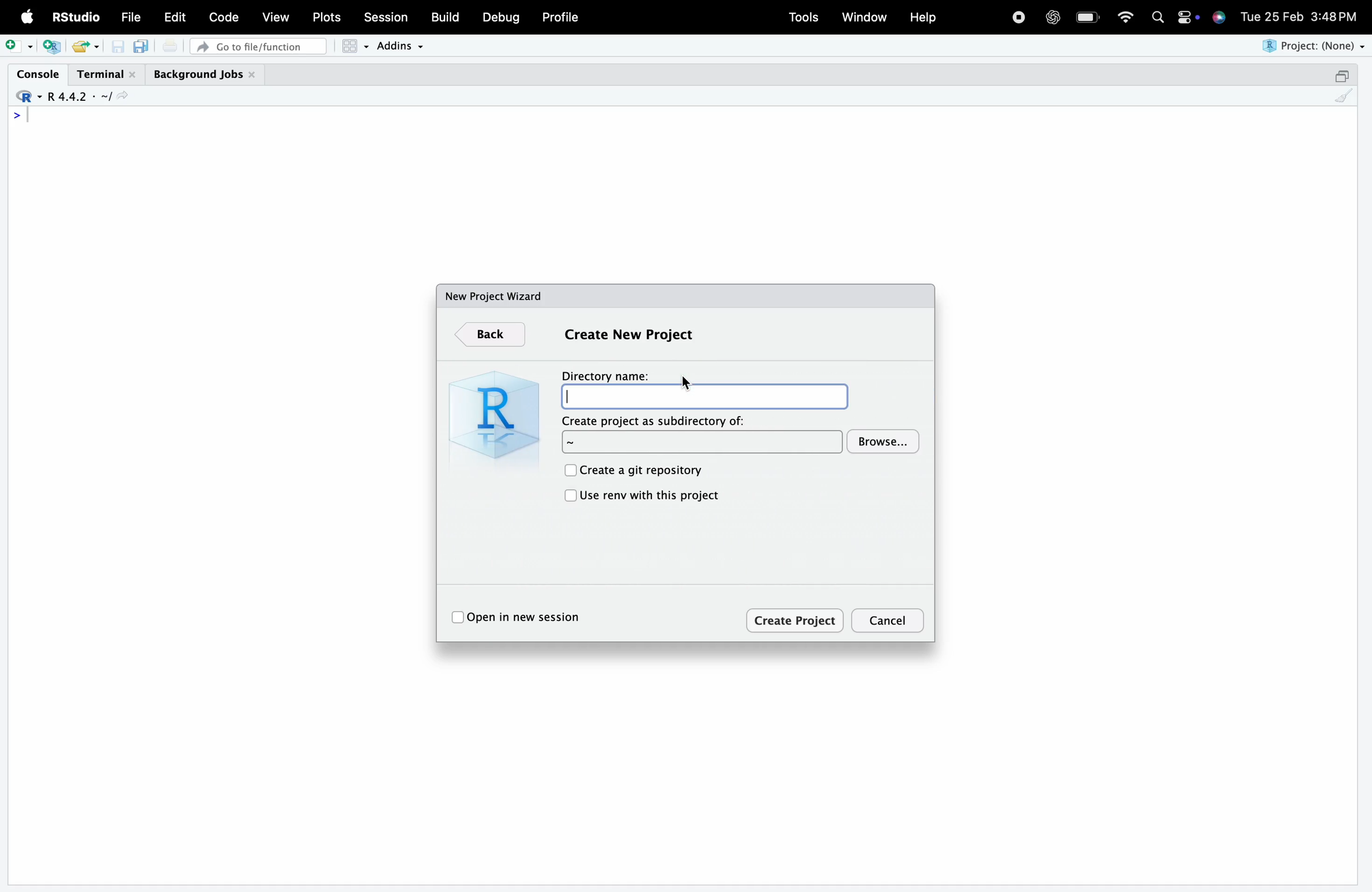 This screenshot has width=1372, height=892. I want to click on Create project as subdirectory of:, so click(655, 421).